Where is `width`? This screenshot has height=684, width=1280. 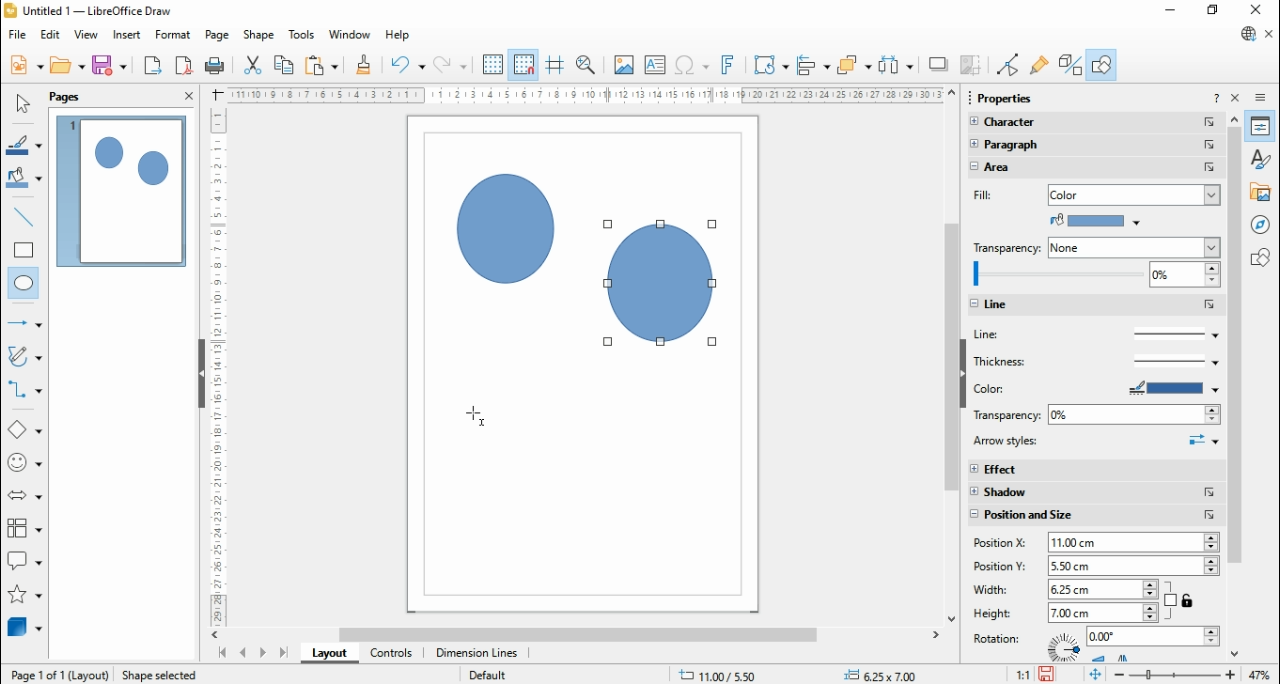
width is located at coordinates (991, 589).